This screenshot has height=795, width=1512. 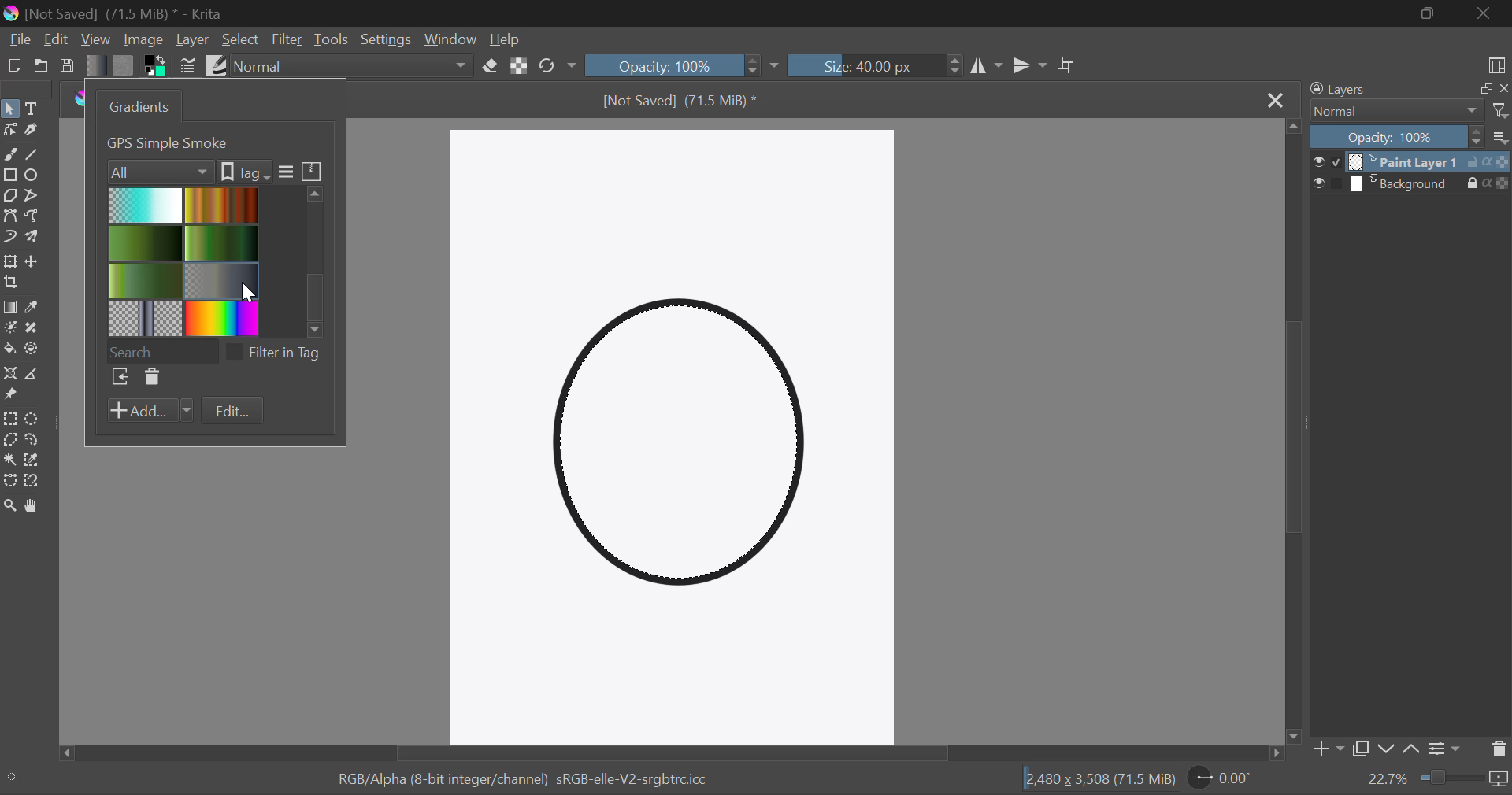 I want to click on Add, so click(x=151, y=410).